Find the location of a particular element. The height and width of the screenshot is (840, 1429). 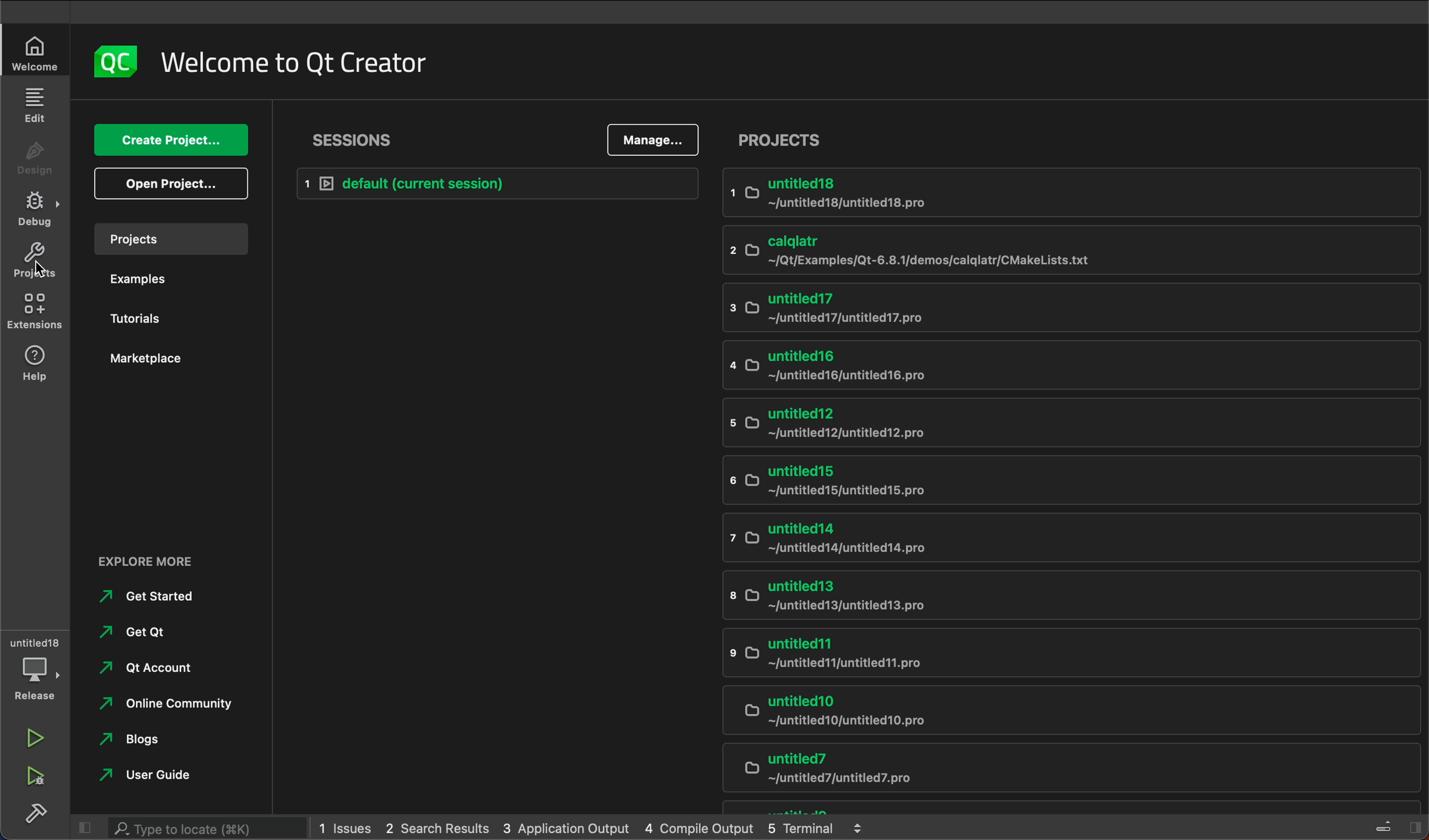

untitled10 is located at coordinates (1058, 706).